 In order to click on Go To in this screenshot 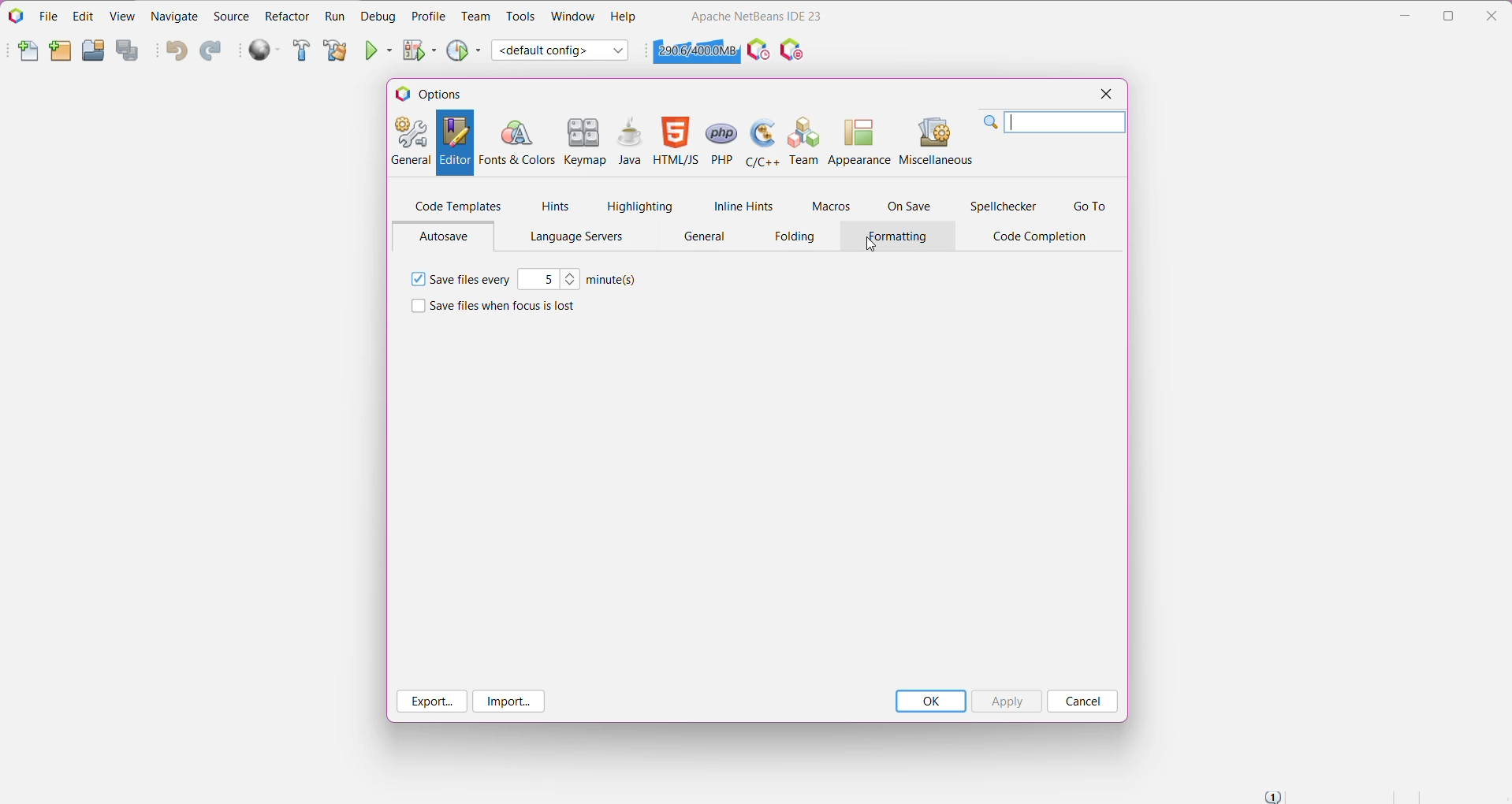, I will do `click(1089, 207)`.